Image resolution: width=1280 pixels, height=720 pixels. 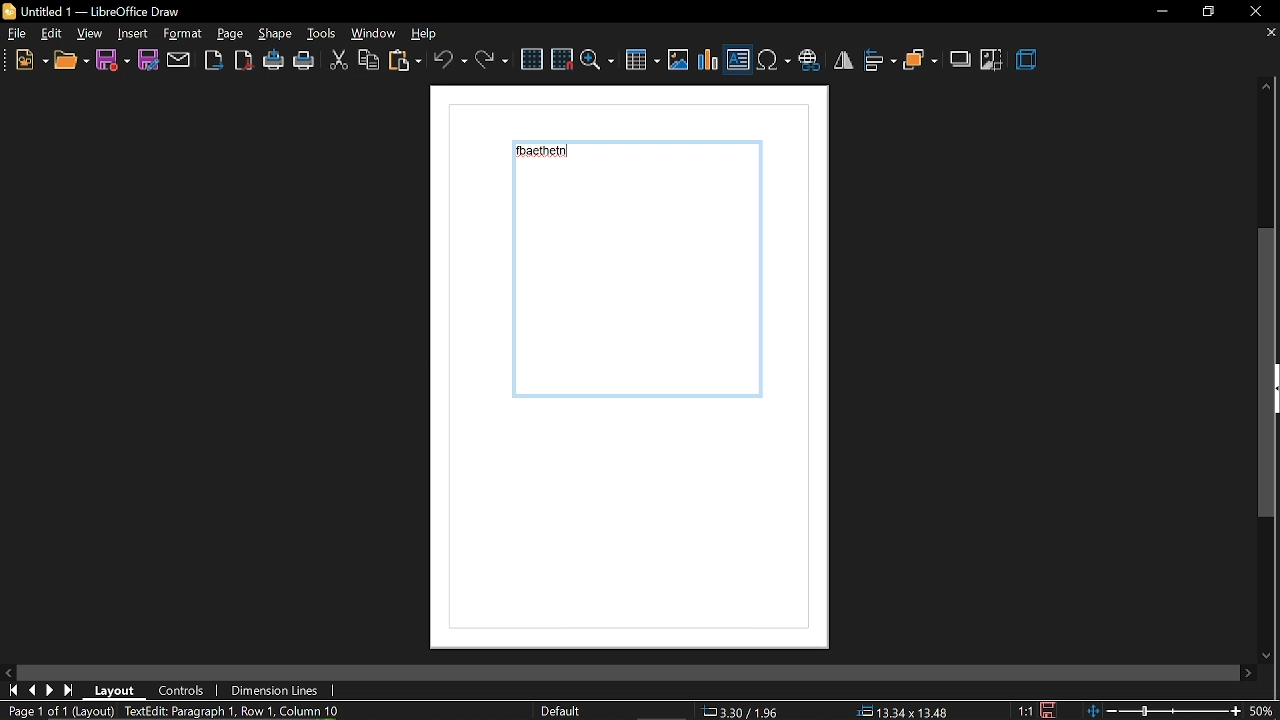 I want to click on File, so click(x=17, y=33).